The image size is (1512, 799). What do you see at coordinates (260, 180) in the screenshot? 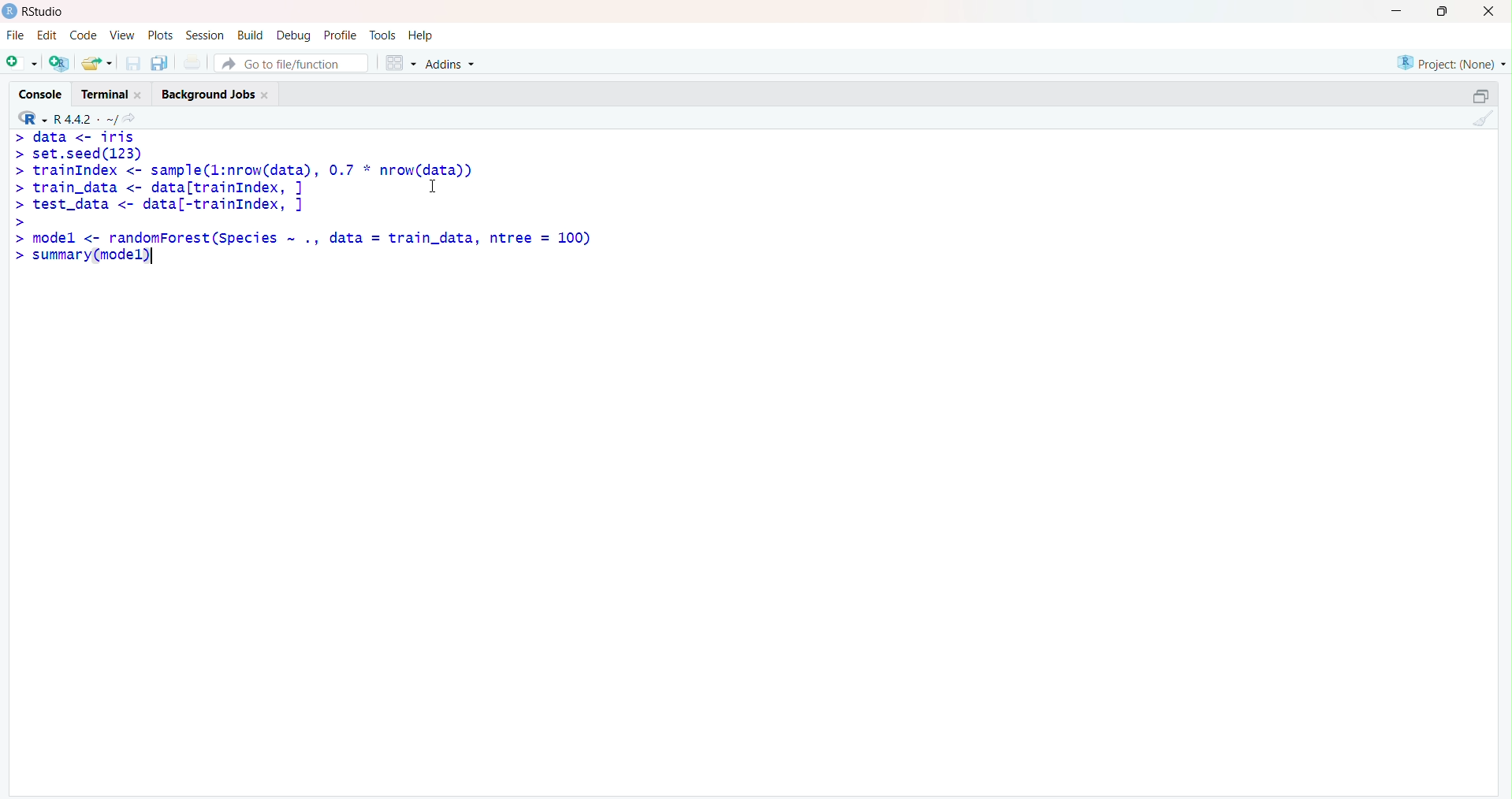
I see `set.seed(ls3)
trainIndex <- sample(l:nrow(data), 0.7 * nrow(data))
train_data <- data[trainIndex, ] I
test_data <- data[-trainIndex, ]

|` at bounding box center [260, 180].